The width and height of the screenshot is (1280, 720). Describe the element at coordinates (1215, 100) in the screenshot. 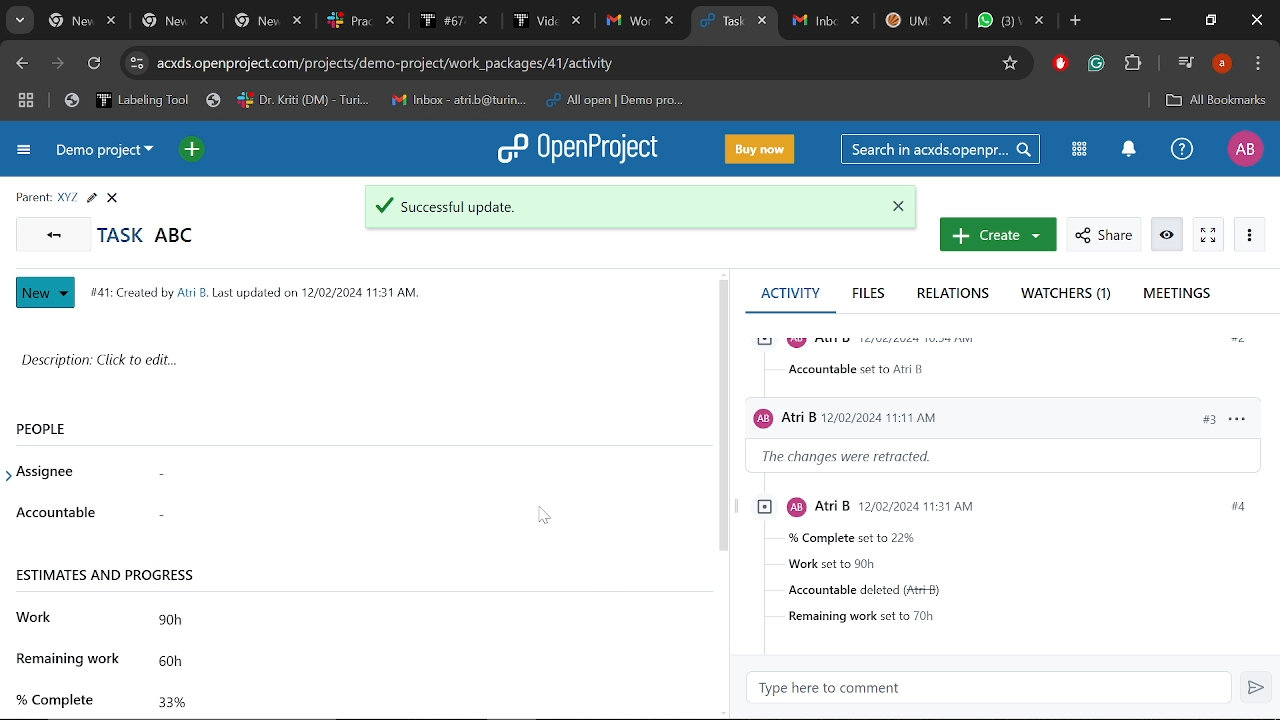

I see `Add bookmark` at that location.